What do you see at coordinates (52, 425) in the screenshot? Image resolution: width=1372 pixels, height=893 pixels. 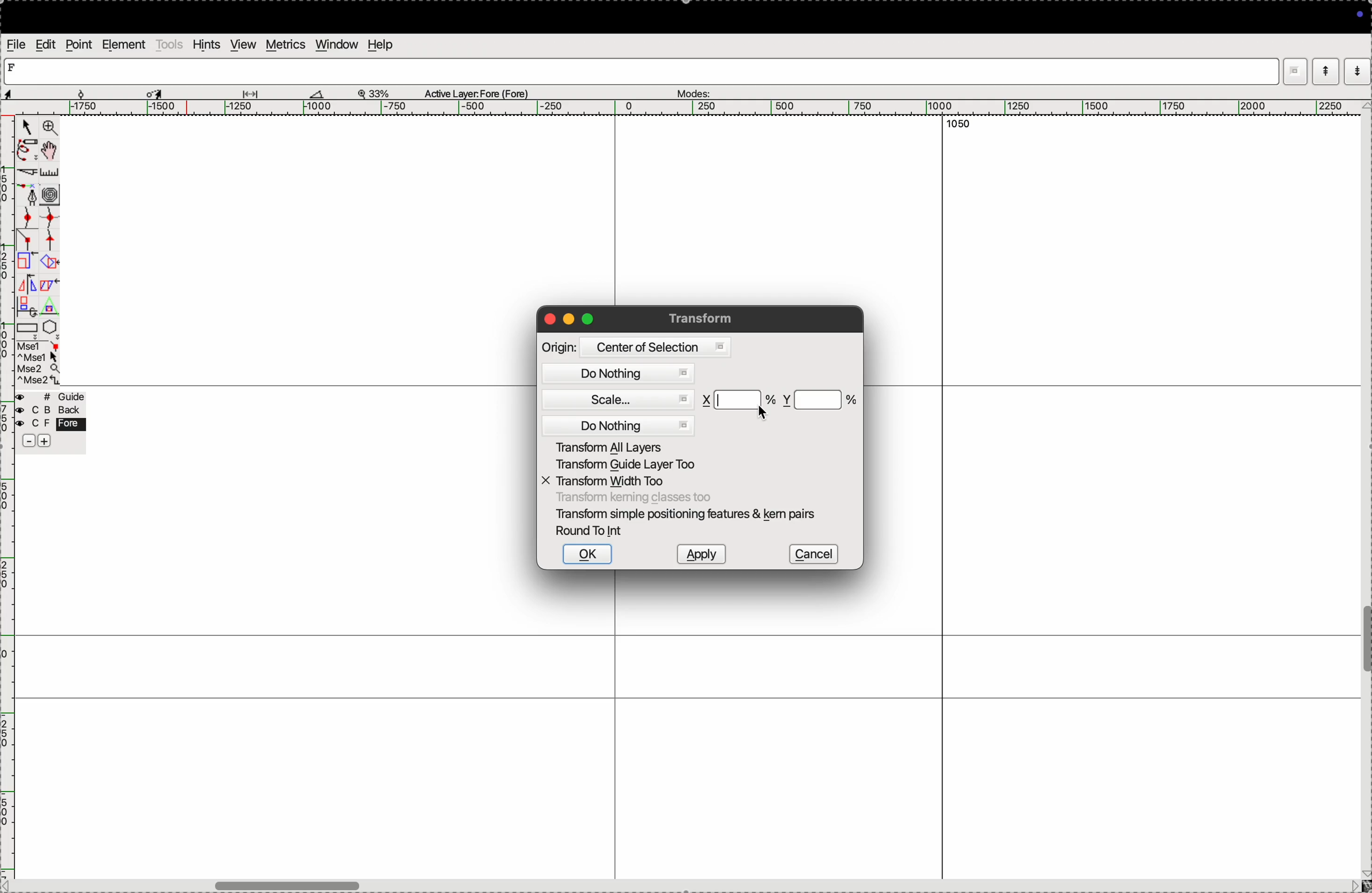 I see `fore` at bounding box center [52, 425].